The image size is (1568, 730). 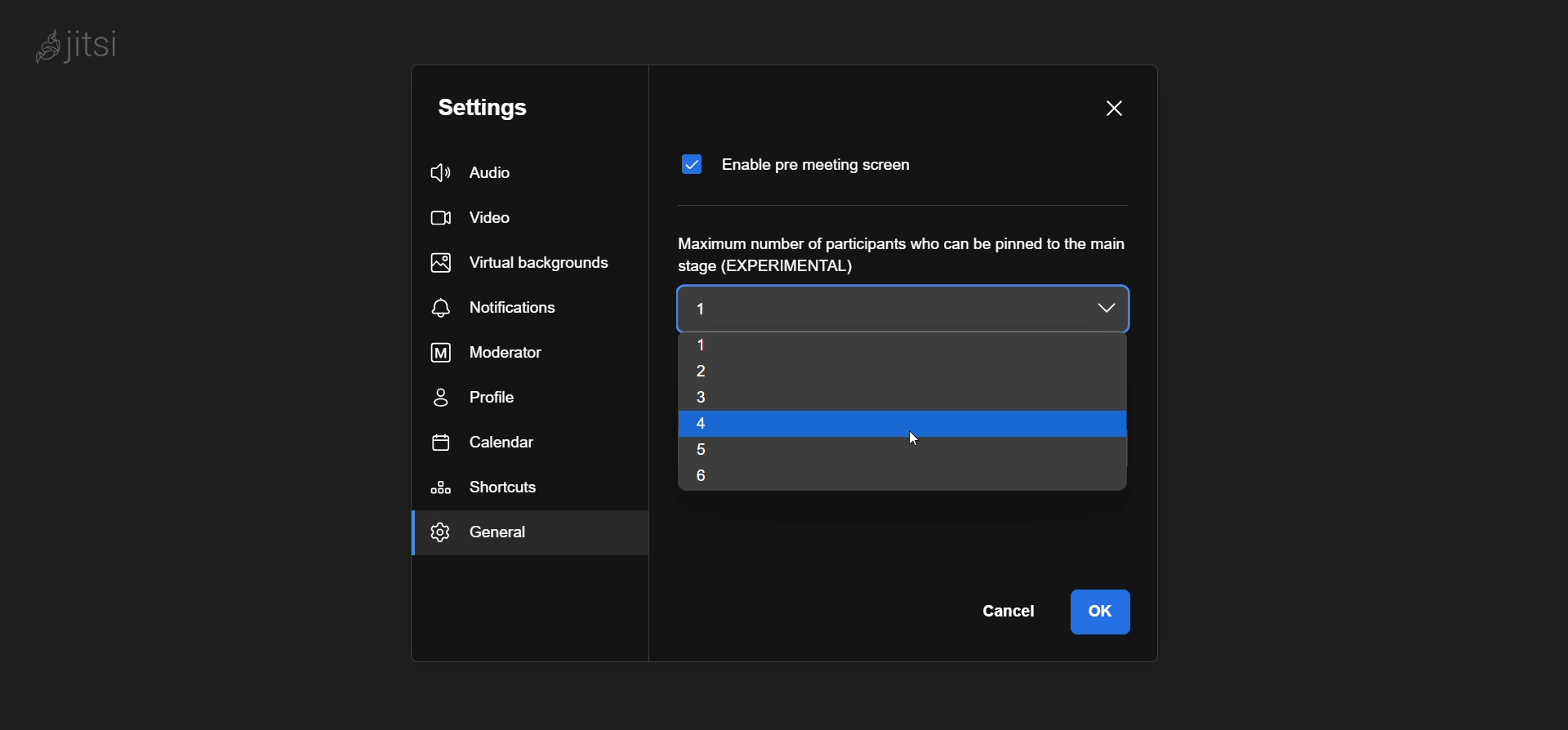 What do you see at coordinates (1009, 611) in the screenshot?
I see `cancel` at bounding box center [1009, 611].